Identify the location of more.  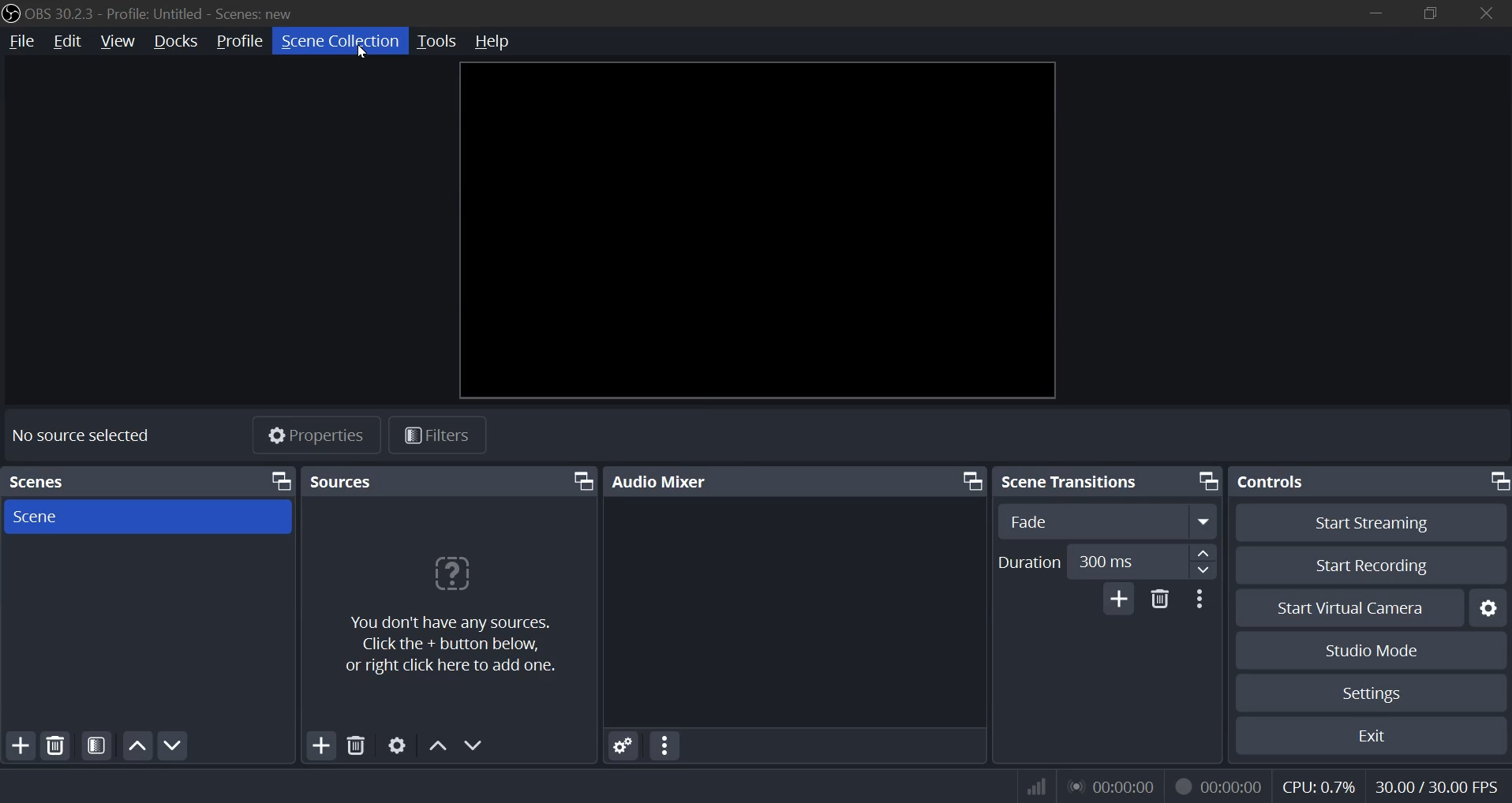
(666, 745).